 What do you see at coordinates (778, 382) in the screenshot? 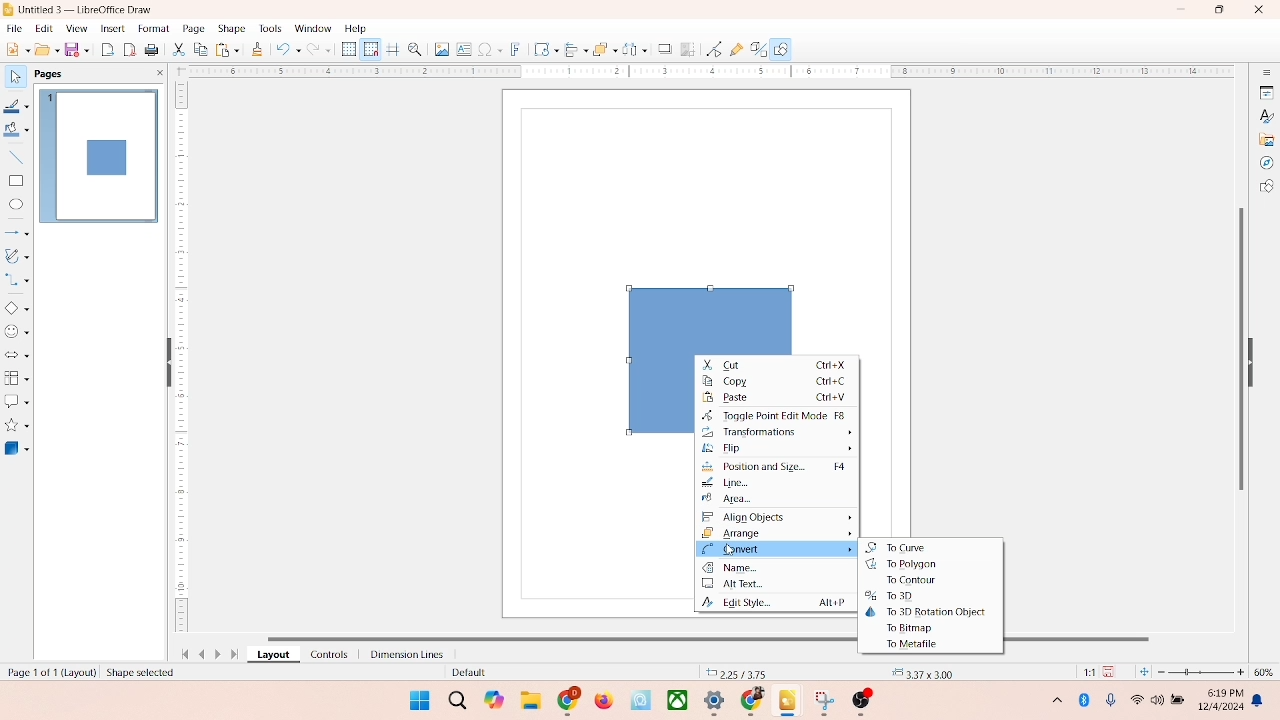
I see `copy` at bounding box center [778, 382].